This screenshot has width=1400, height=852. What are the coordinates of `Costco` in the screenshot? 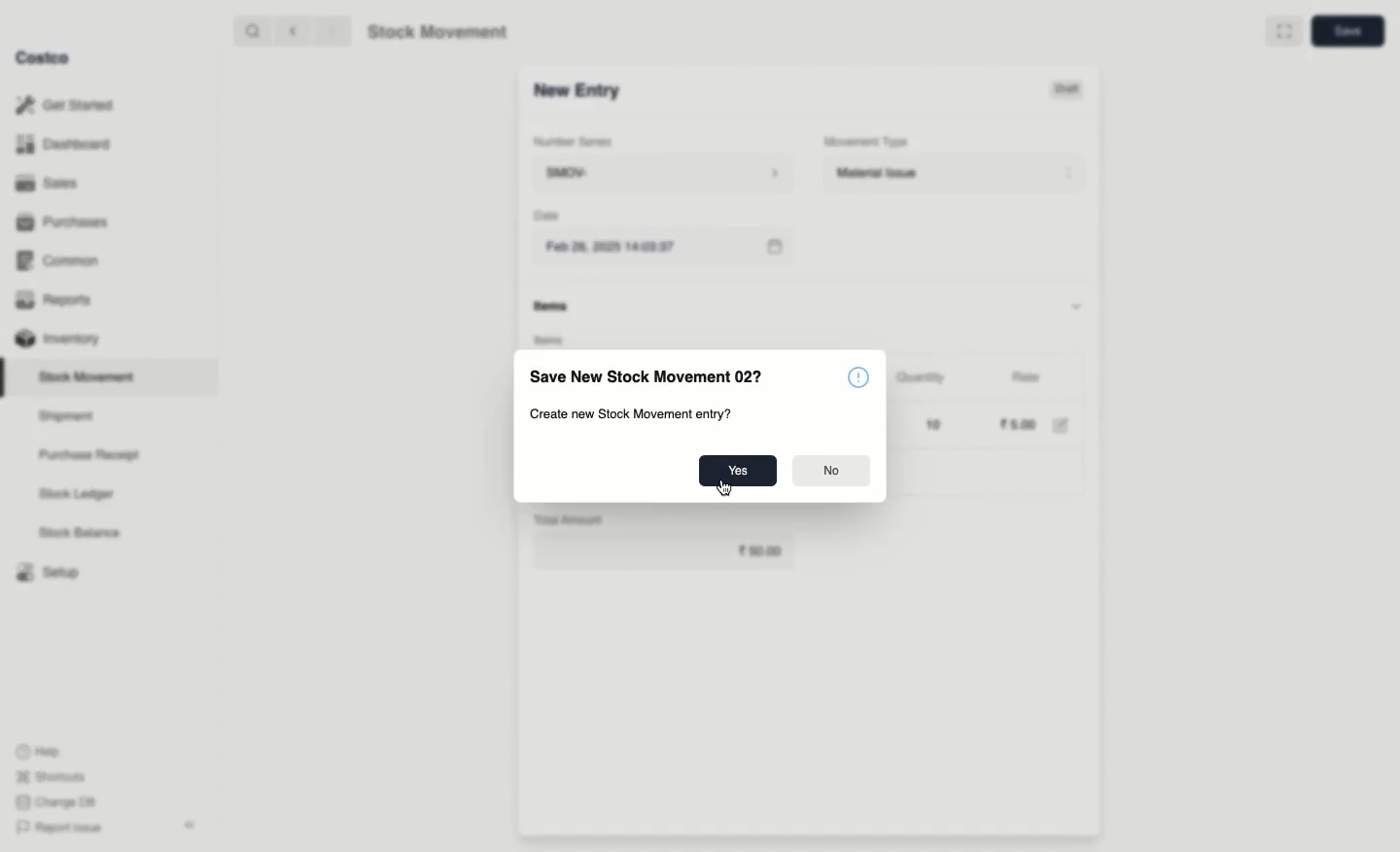 It's located at (44, 58).